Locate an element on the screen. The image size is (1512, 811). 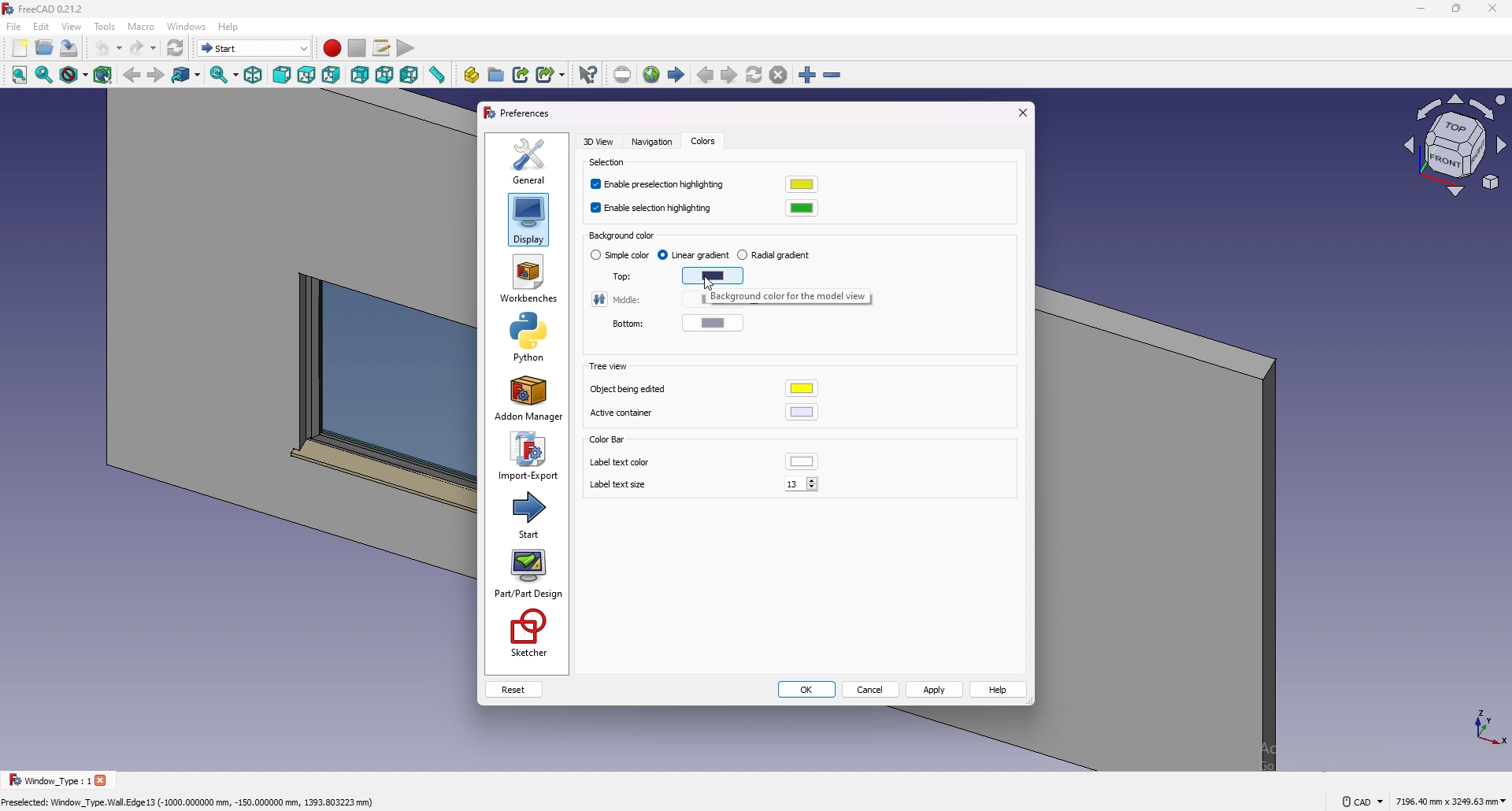
background color is located at coordinates (628, 235).